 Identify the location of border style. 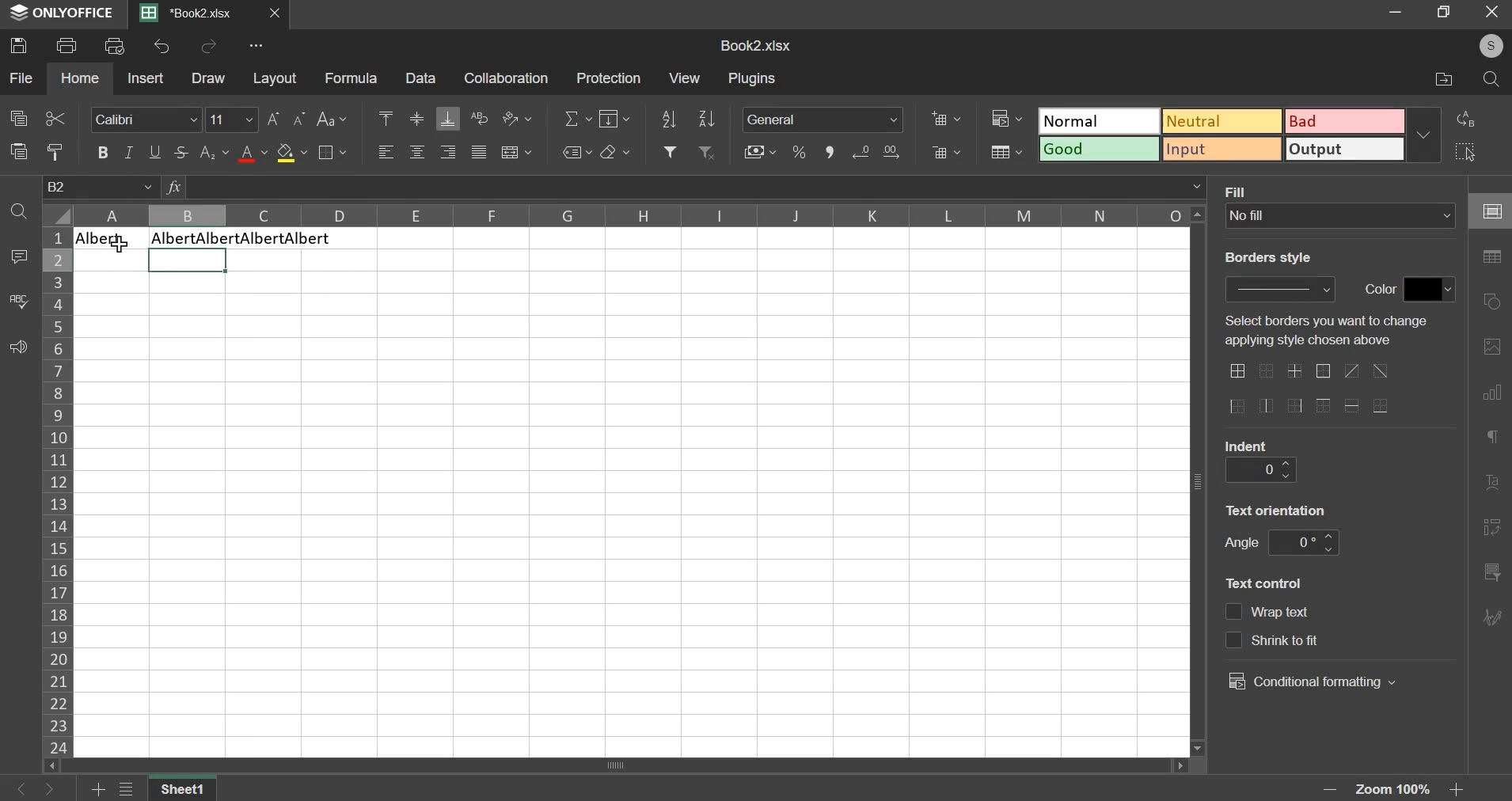
(1286, 290).